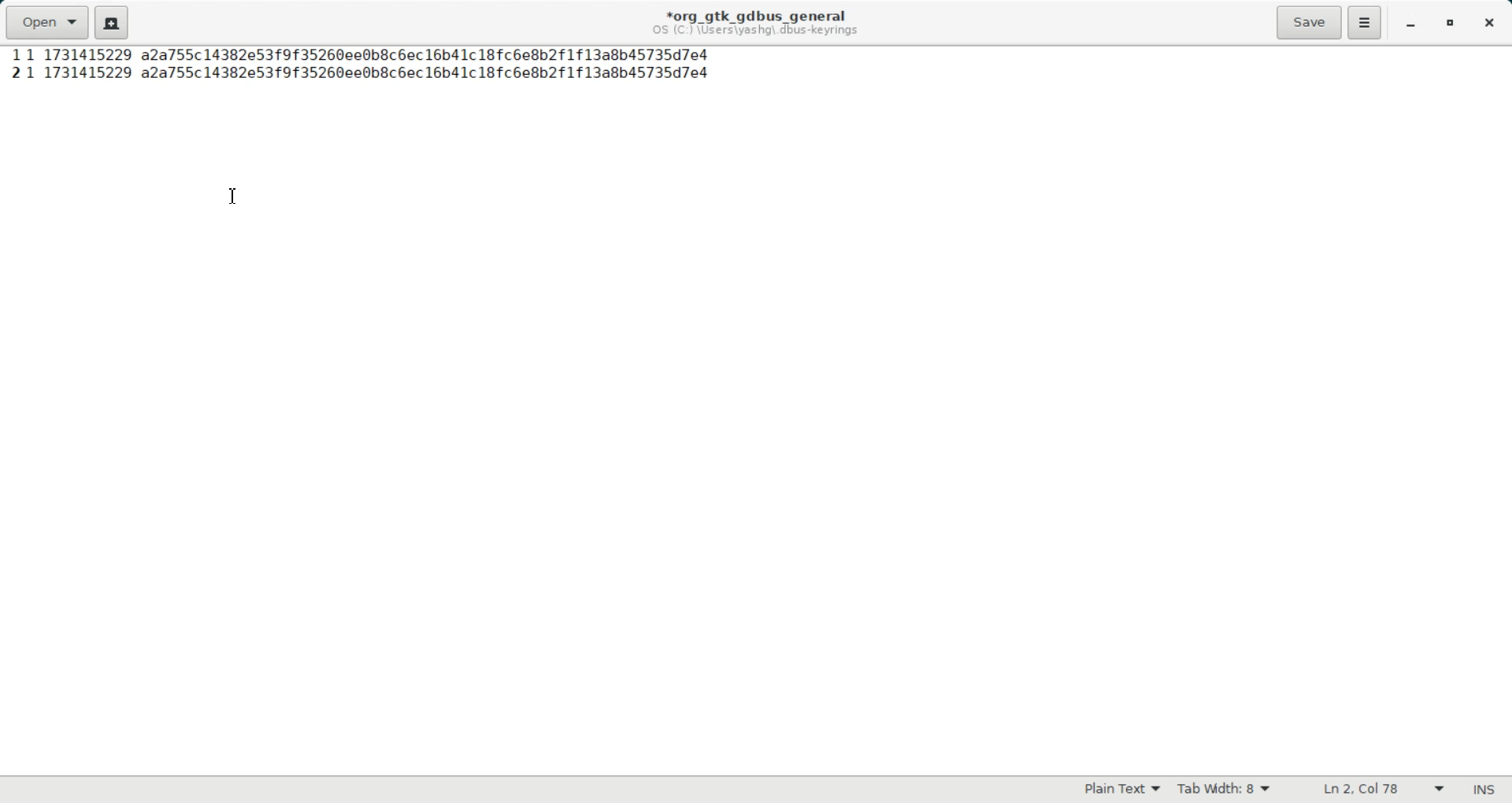  I want to click on Text Cursor, so click(234, 197).